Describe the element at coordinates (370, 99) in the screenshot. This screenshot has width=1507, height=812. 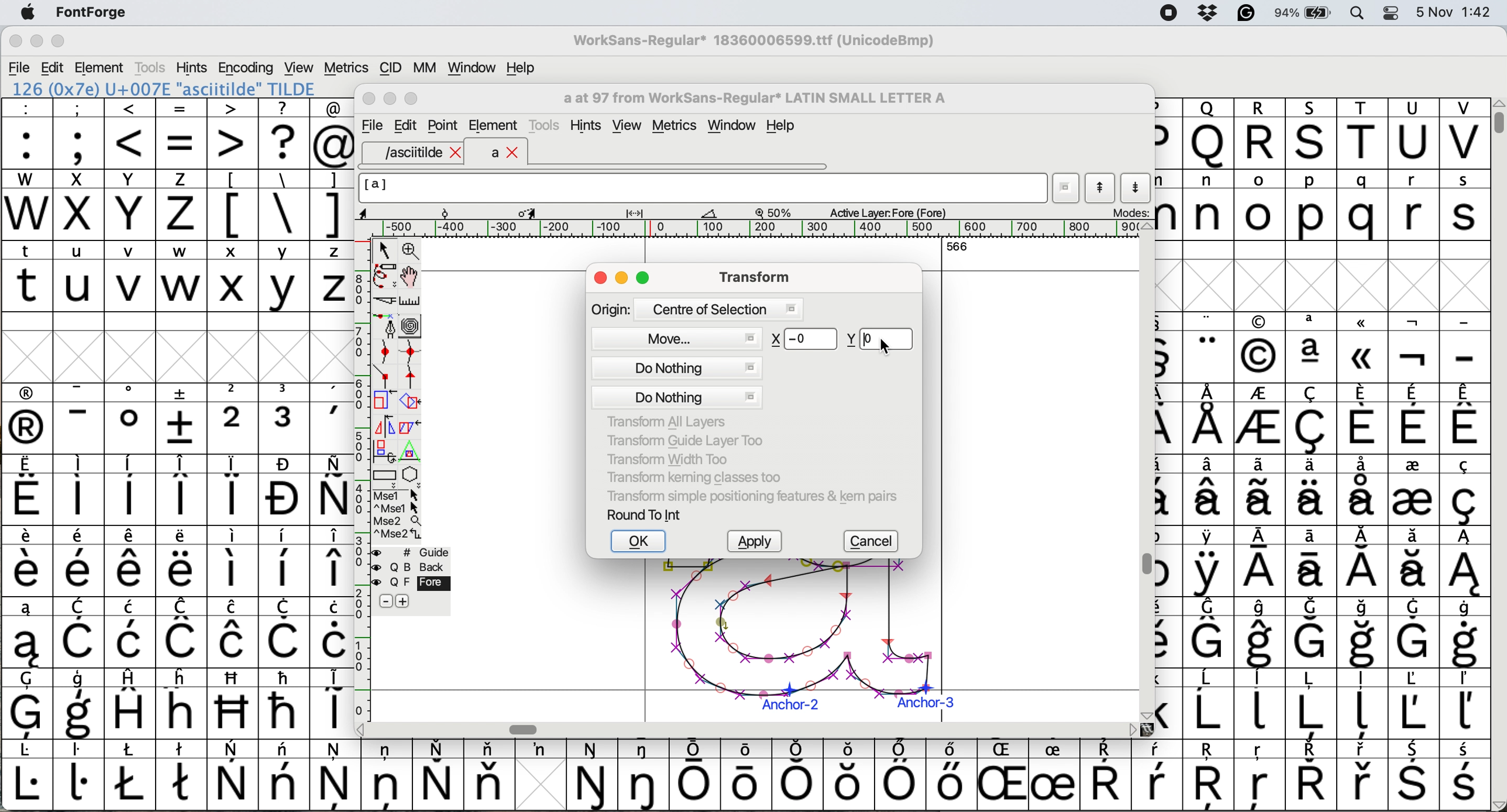
I see `Close` at that location.